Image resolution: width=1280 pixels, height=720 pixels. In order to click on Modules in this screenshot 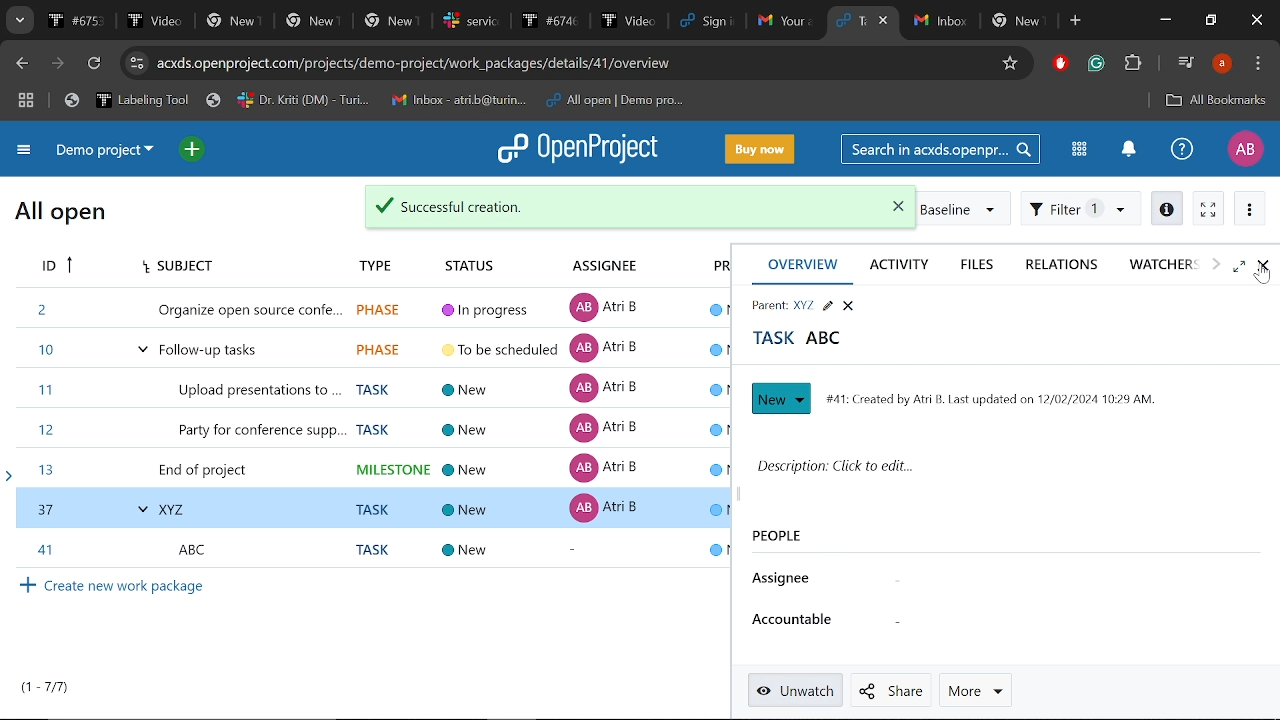, I will do `click(1079, 149)`.